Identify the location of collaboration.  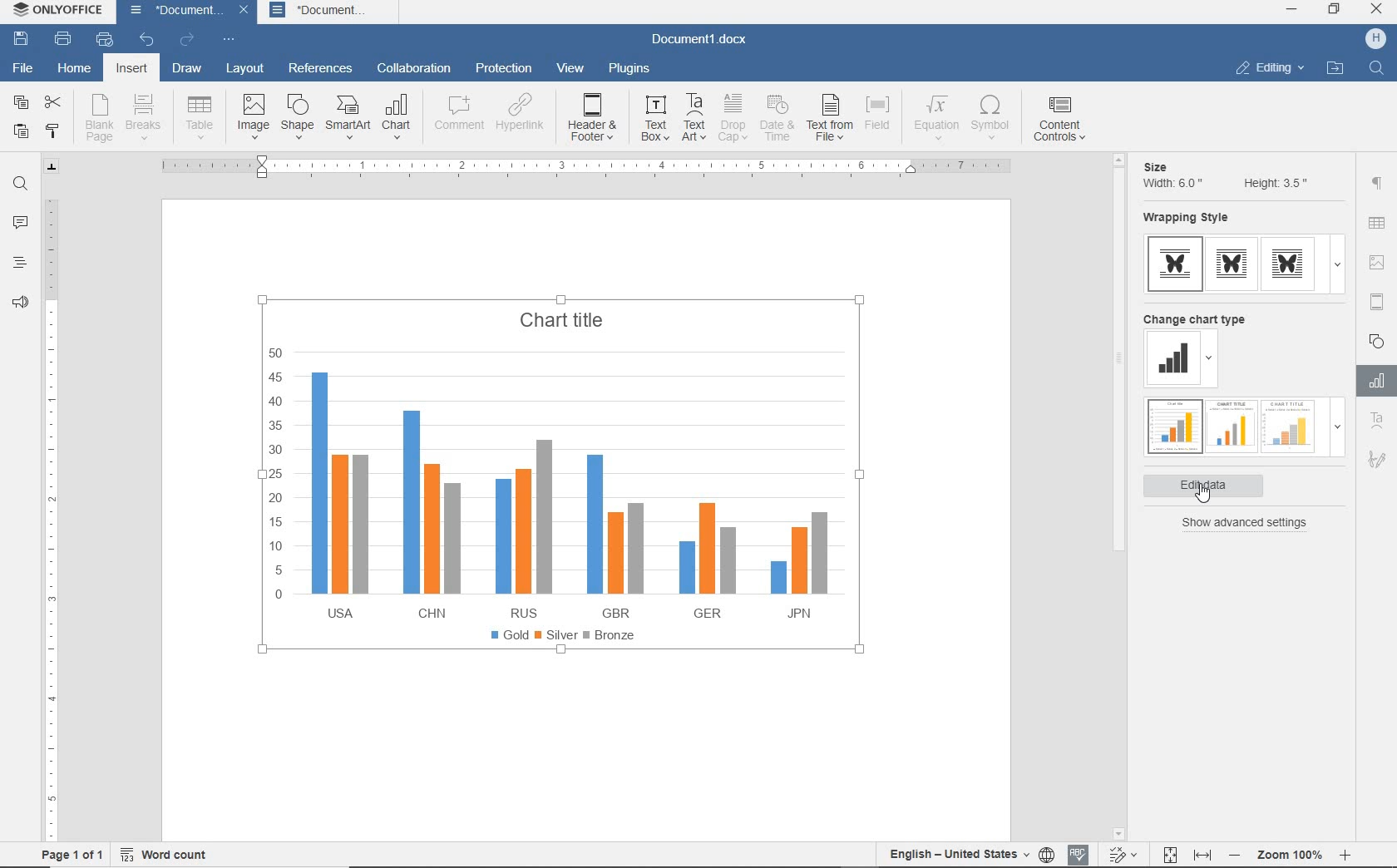
(414, 68).